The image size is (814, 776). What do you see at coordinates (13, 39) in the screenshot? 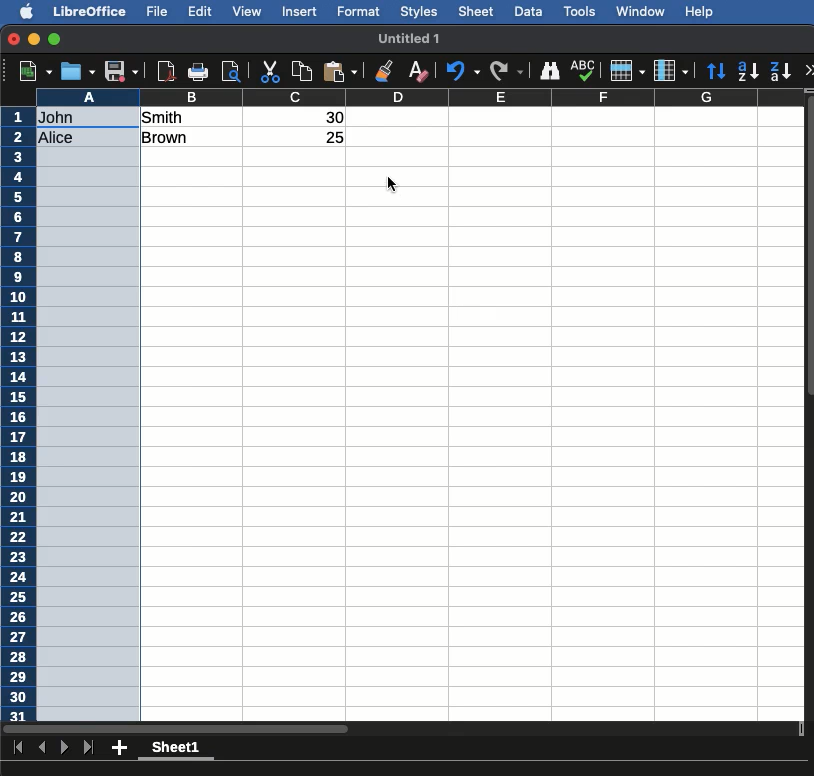
I see `Close` at bounding box center [13, 39].